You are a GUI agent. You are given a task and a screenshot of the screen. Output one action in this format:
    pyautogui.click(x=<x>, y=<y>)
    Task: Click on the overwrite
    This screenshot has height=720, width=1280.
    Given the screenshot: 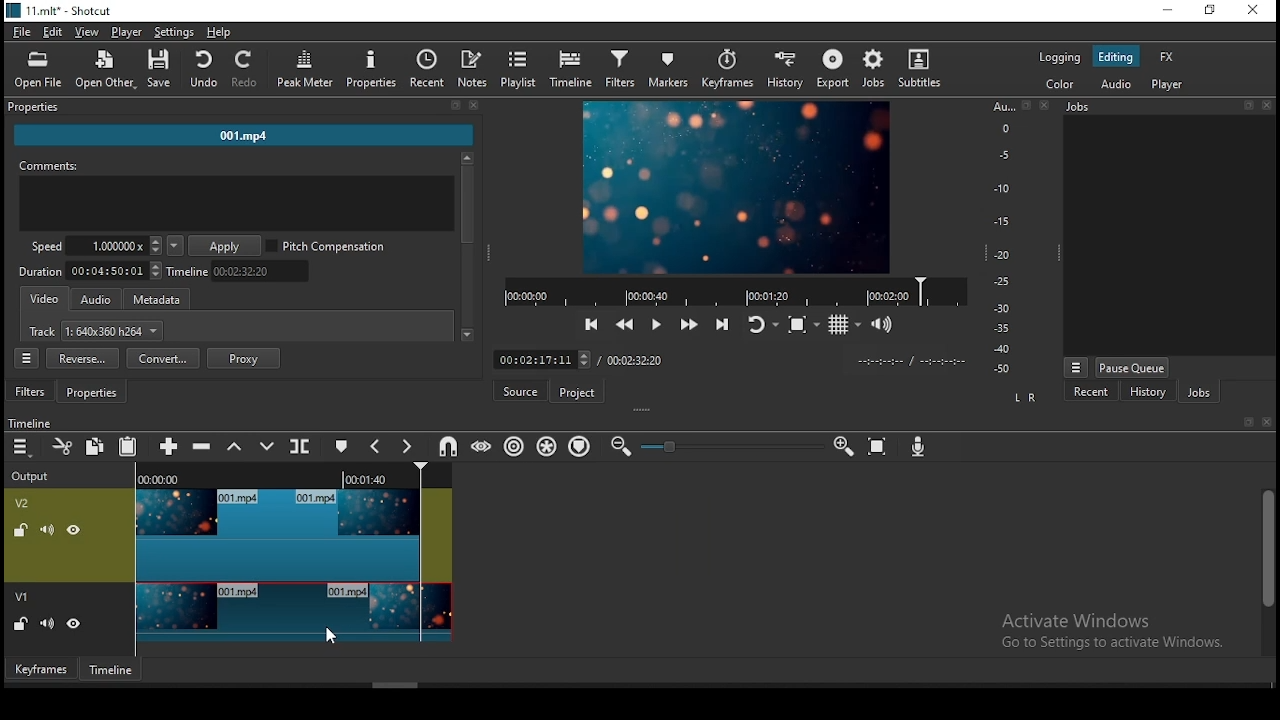 What is the action you would take?
    pyautogui.click(x=267, y=446)
    